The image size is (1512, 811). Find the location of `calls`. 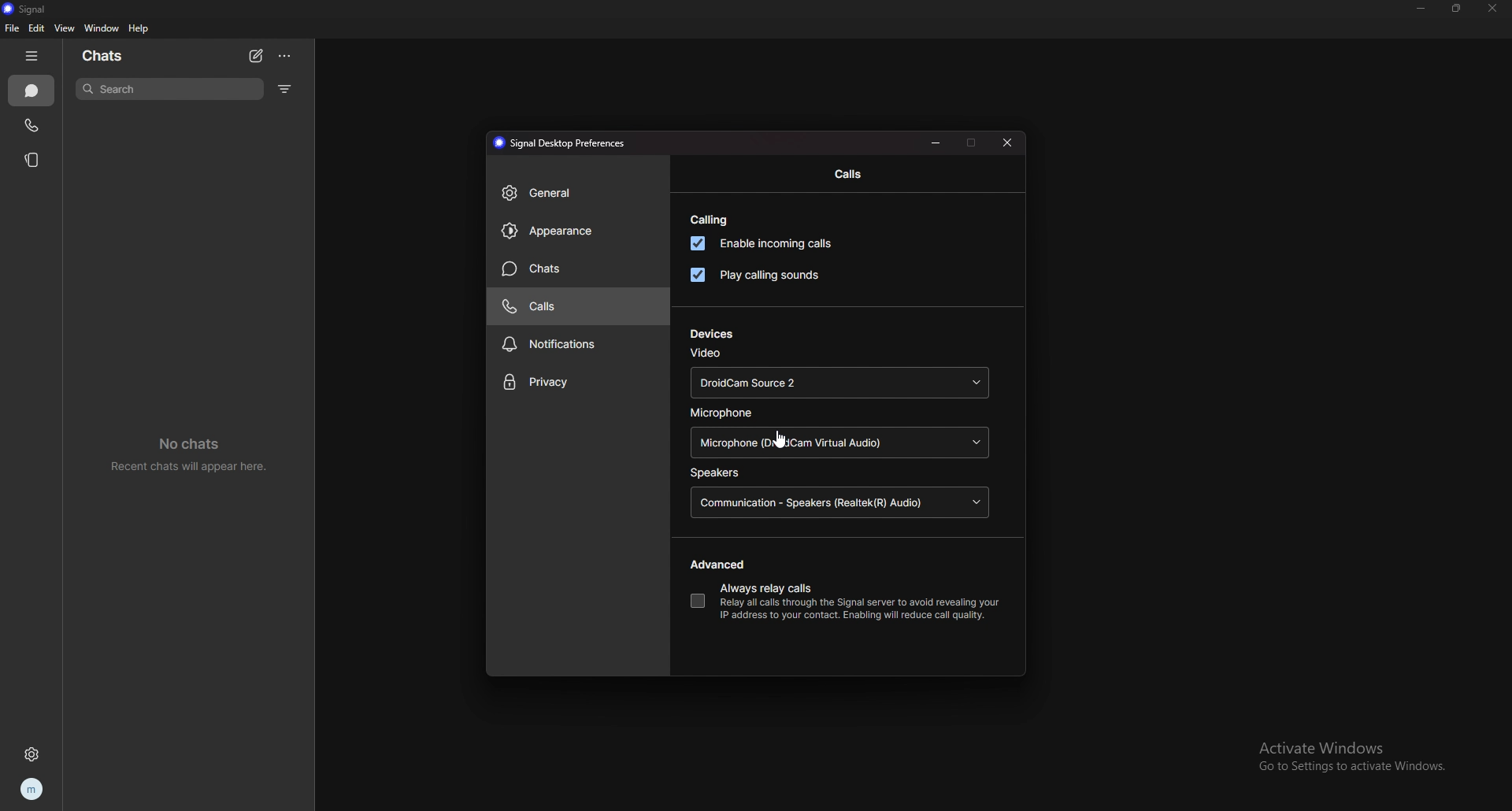

calls is located at coordinates (576, 306).